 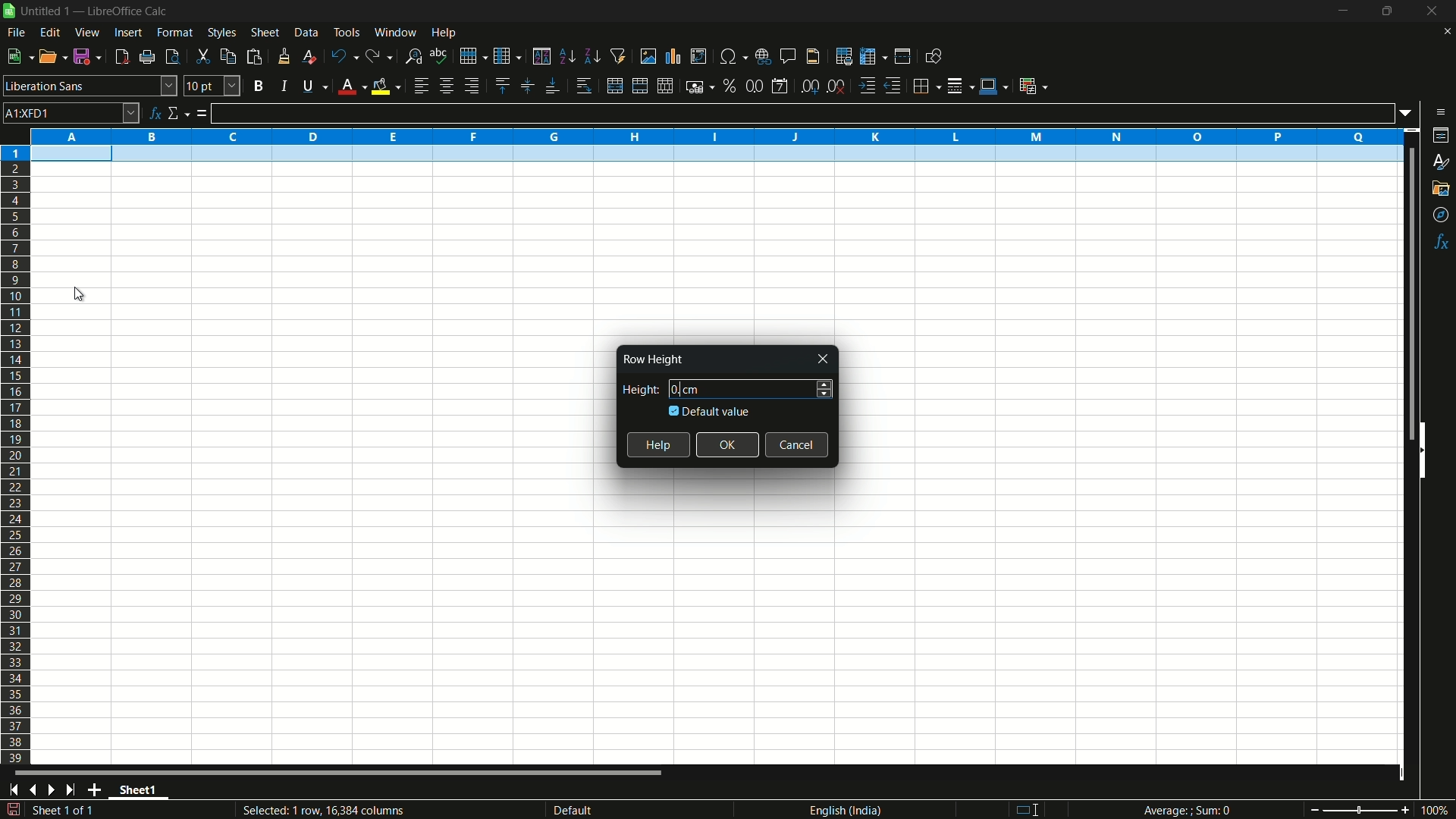 What do you see at coordinates (902, 57) in the screenshot?
I see `split window` at bounding box center [902, 57].